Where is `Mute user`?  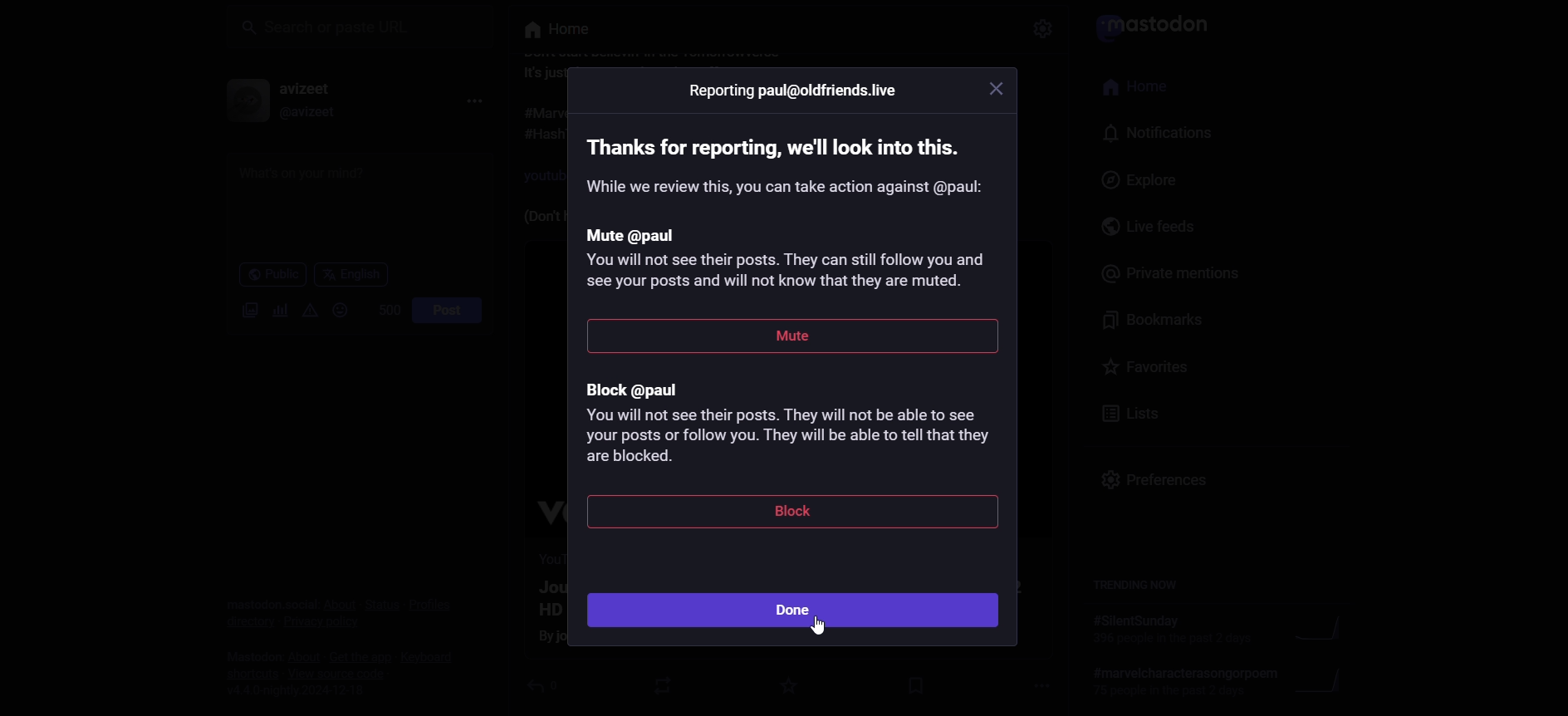
Mute user is located at coordinates (794, 260).